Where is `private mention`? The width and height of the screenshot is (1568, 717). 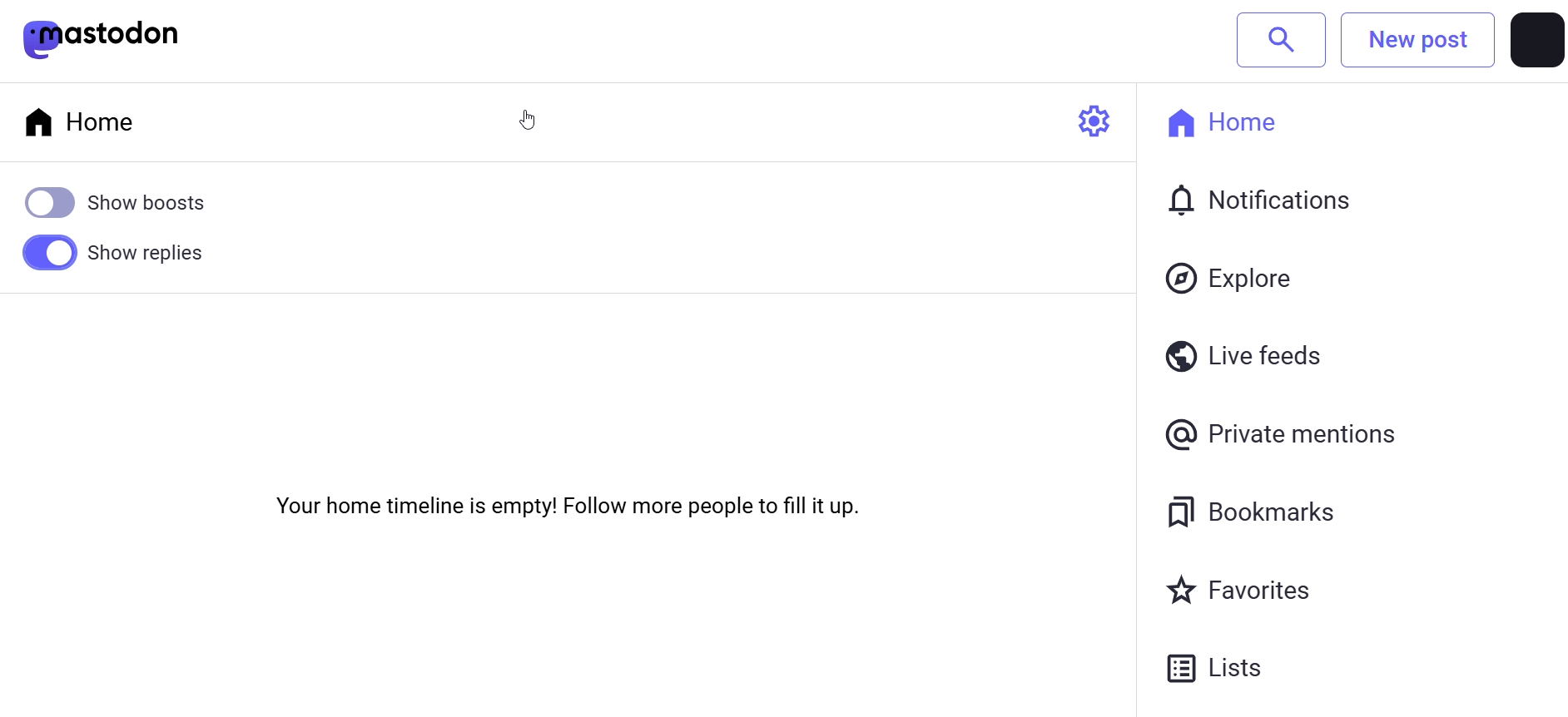
private mention is located at coordinates (1290, 433).